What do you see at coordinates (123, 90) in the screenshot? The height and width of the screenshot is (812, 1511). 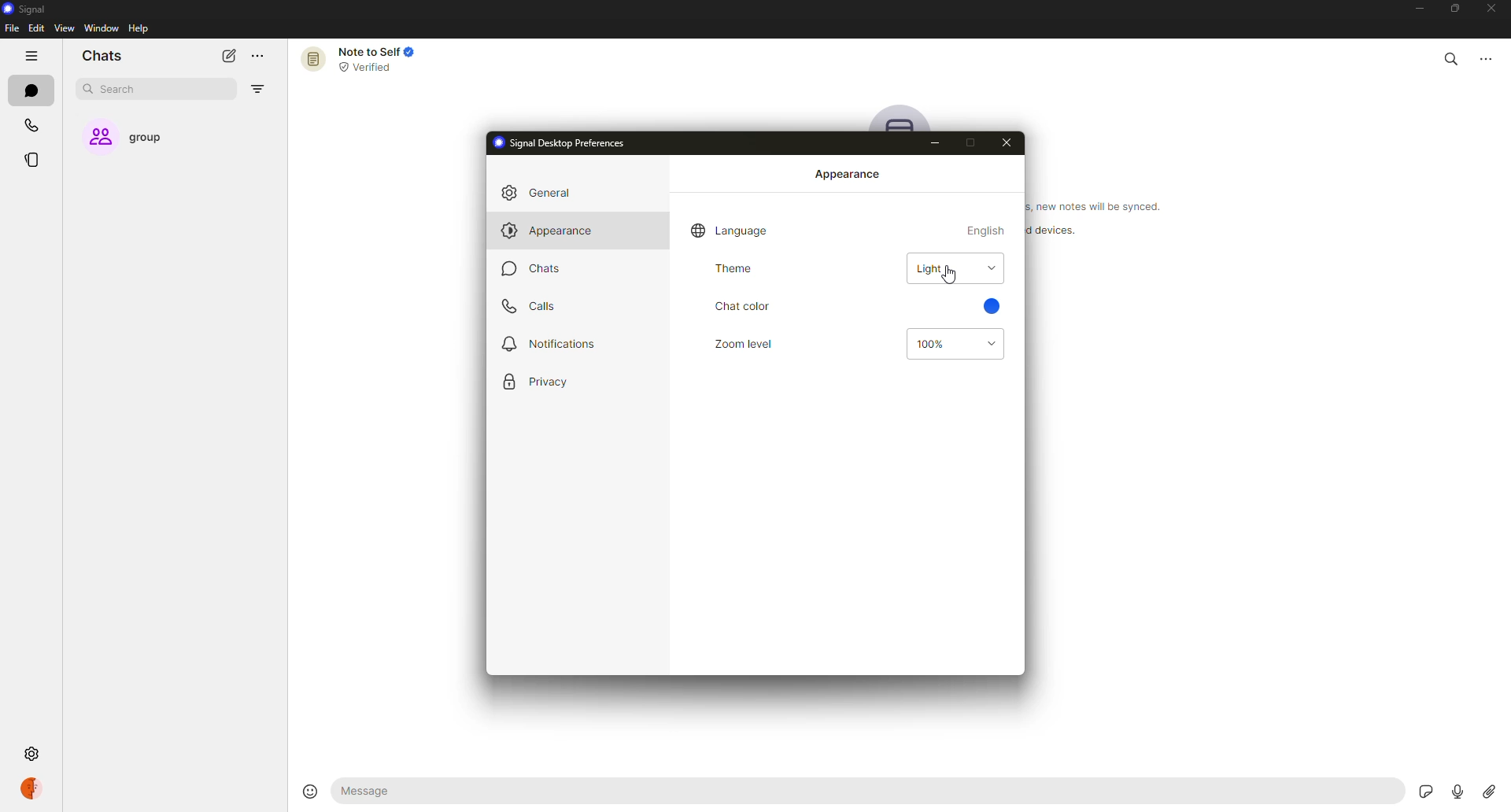 I see `search` at bounding box center [123, 90].